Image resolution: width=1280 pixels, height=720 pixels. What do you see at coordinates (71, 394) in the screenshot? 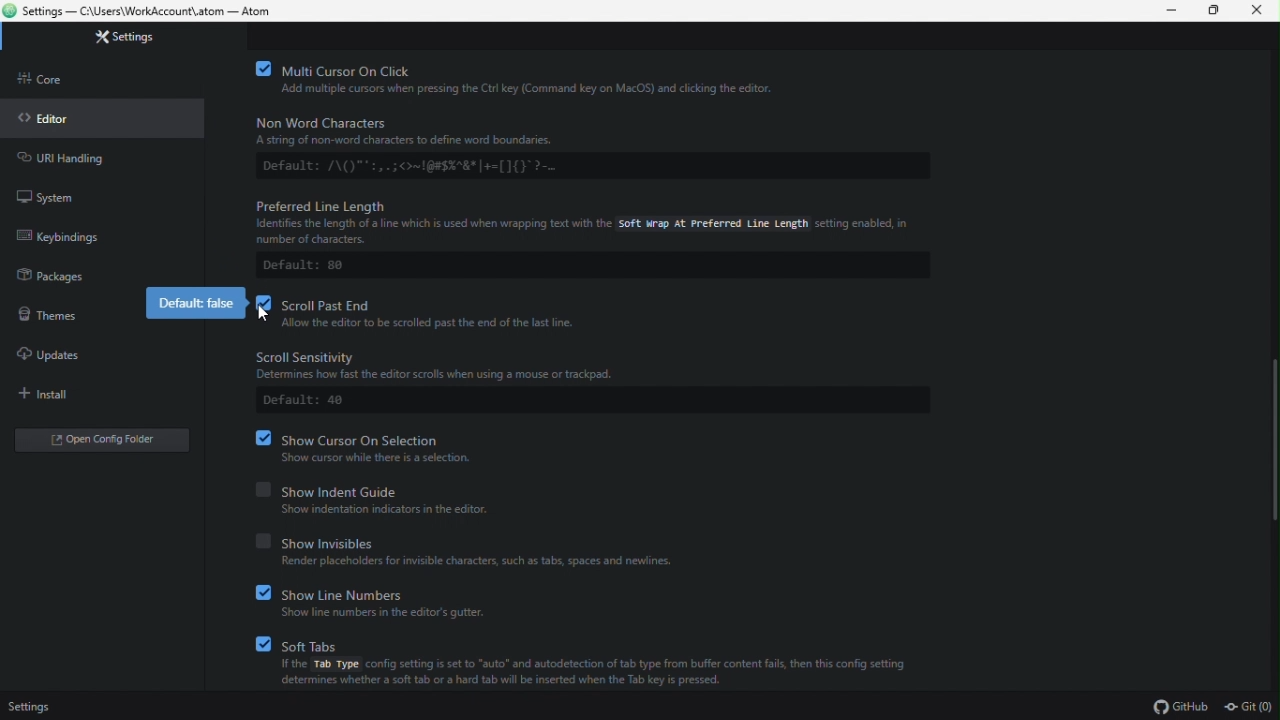
I see `Install` at bounding box center [71, 394].